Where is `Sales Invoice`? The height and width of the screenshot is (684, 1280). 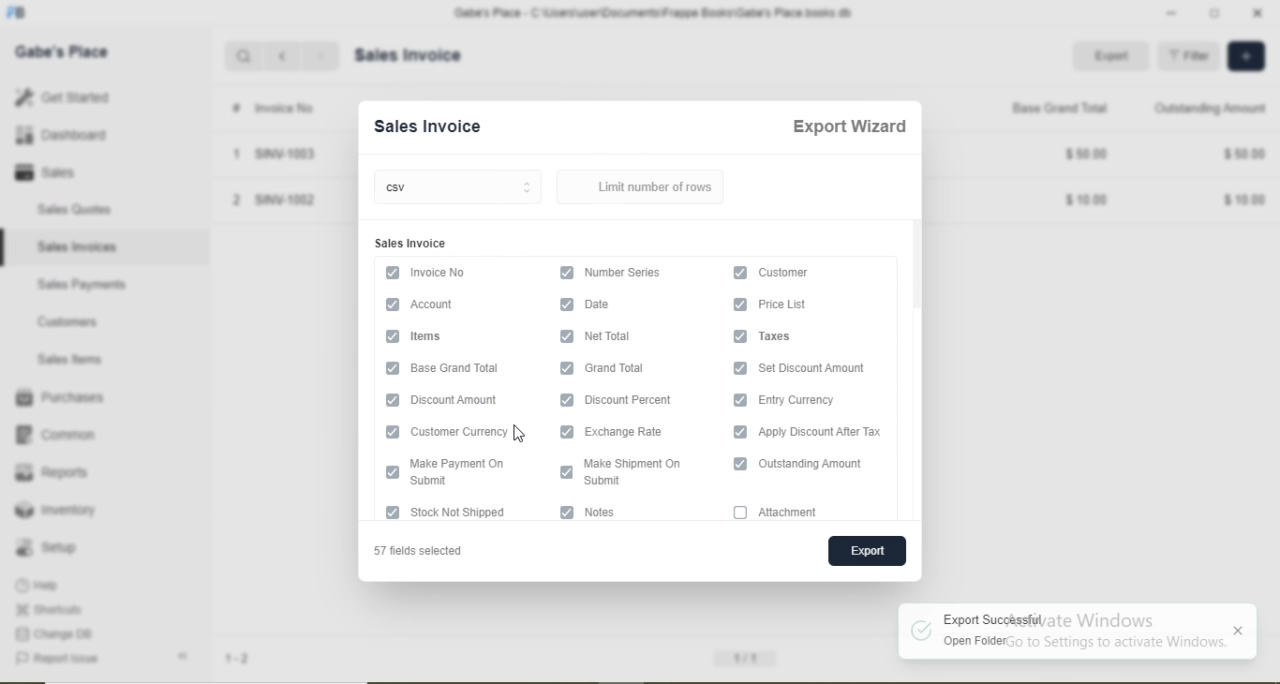 Sales Invoice is located at coordinates (435, 125).